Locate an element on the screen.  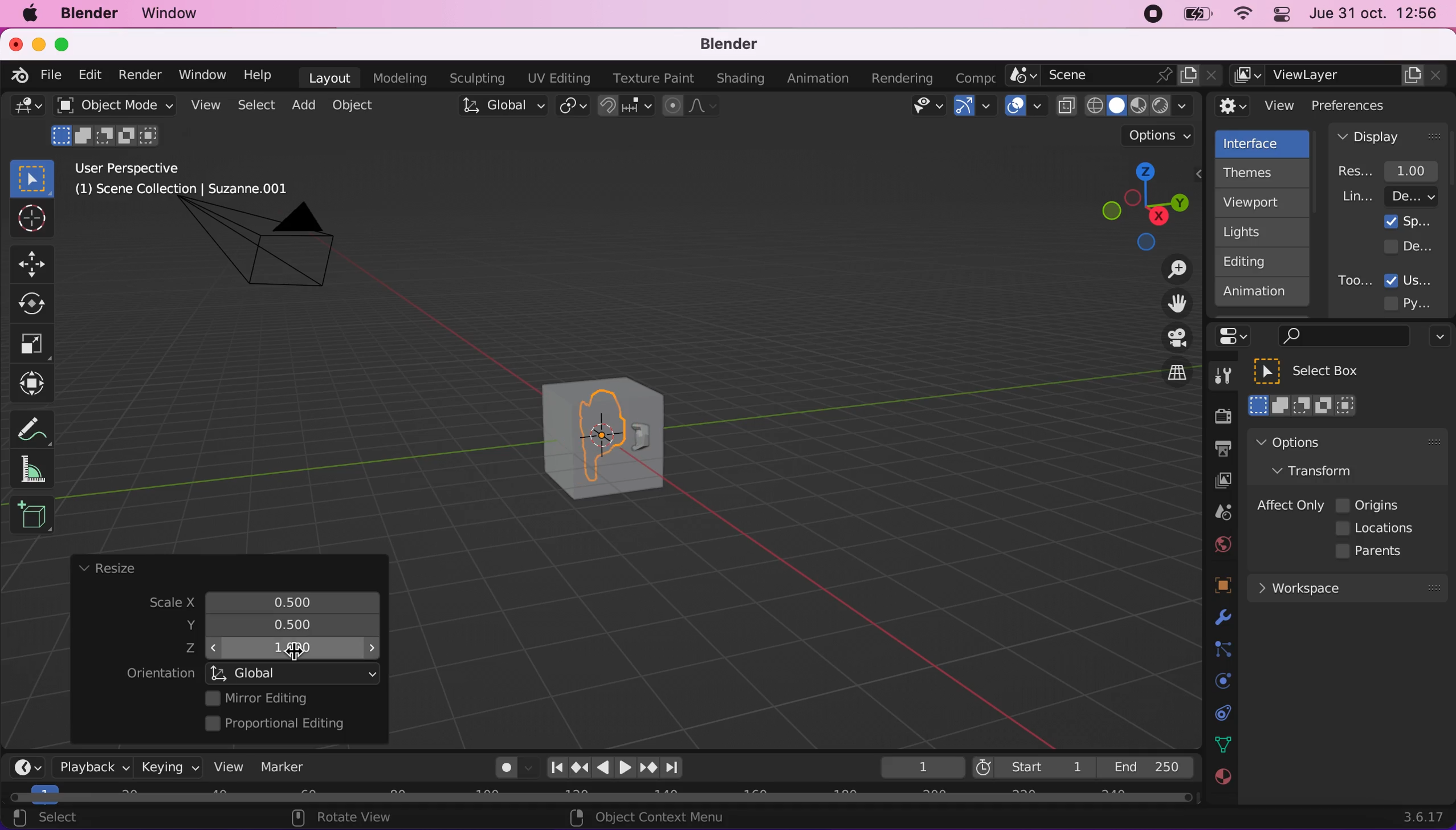
texture paint is located at coordinates (651, 78).